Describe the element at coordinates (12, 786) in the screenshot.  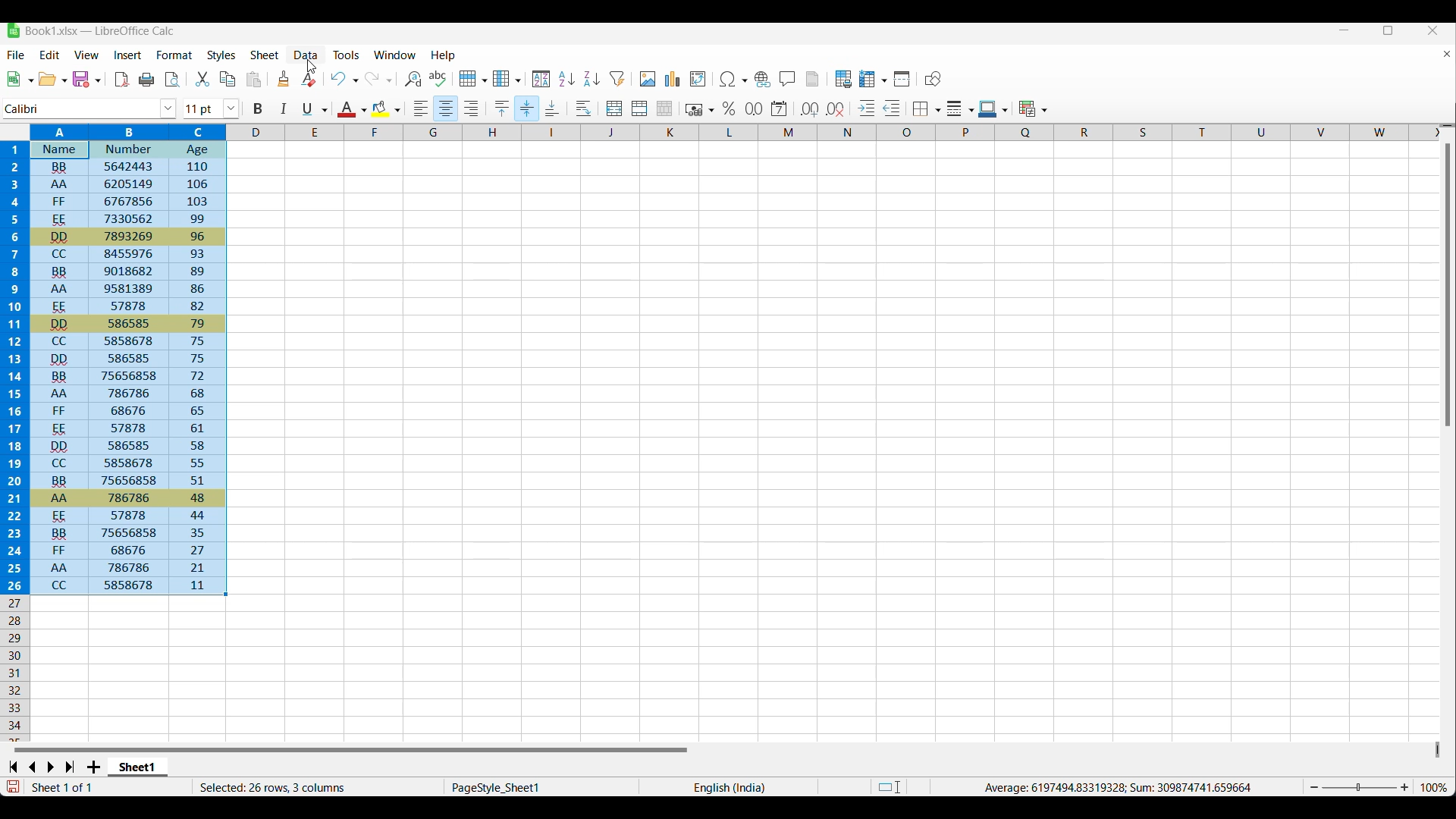
I see `Indicates modifications that require saving` at that location.